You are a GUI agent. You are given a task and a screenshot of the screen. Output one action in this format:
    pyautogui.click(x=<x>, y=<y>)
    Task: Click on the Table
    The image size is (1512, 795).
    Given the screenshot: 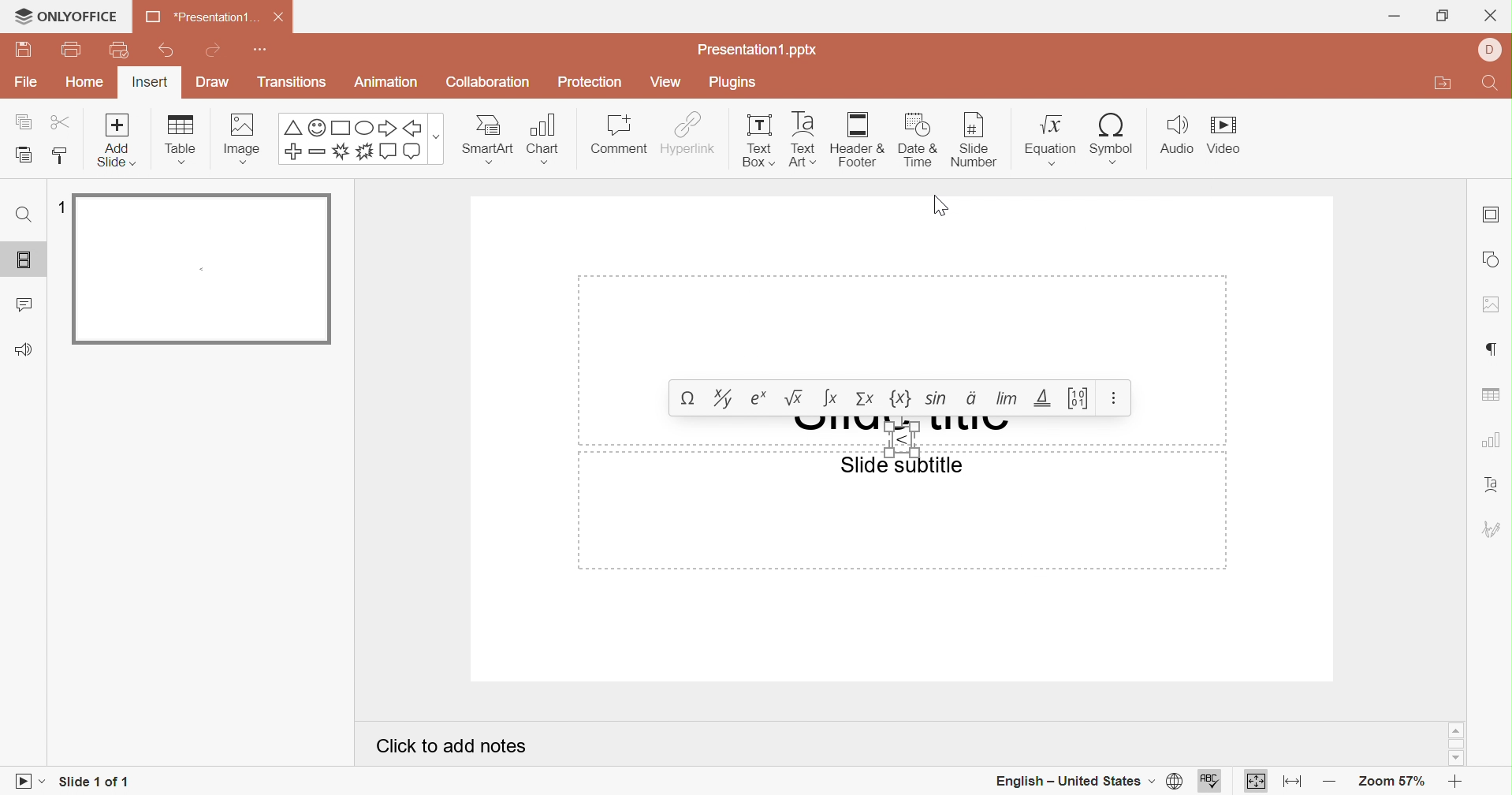 What is the action you would take?
    pyautogui.click(x=181, y=140)
    